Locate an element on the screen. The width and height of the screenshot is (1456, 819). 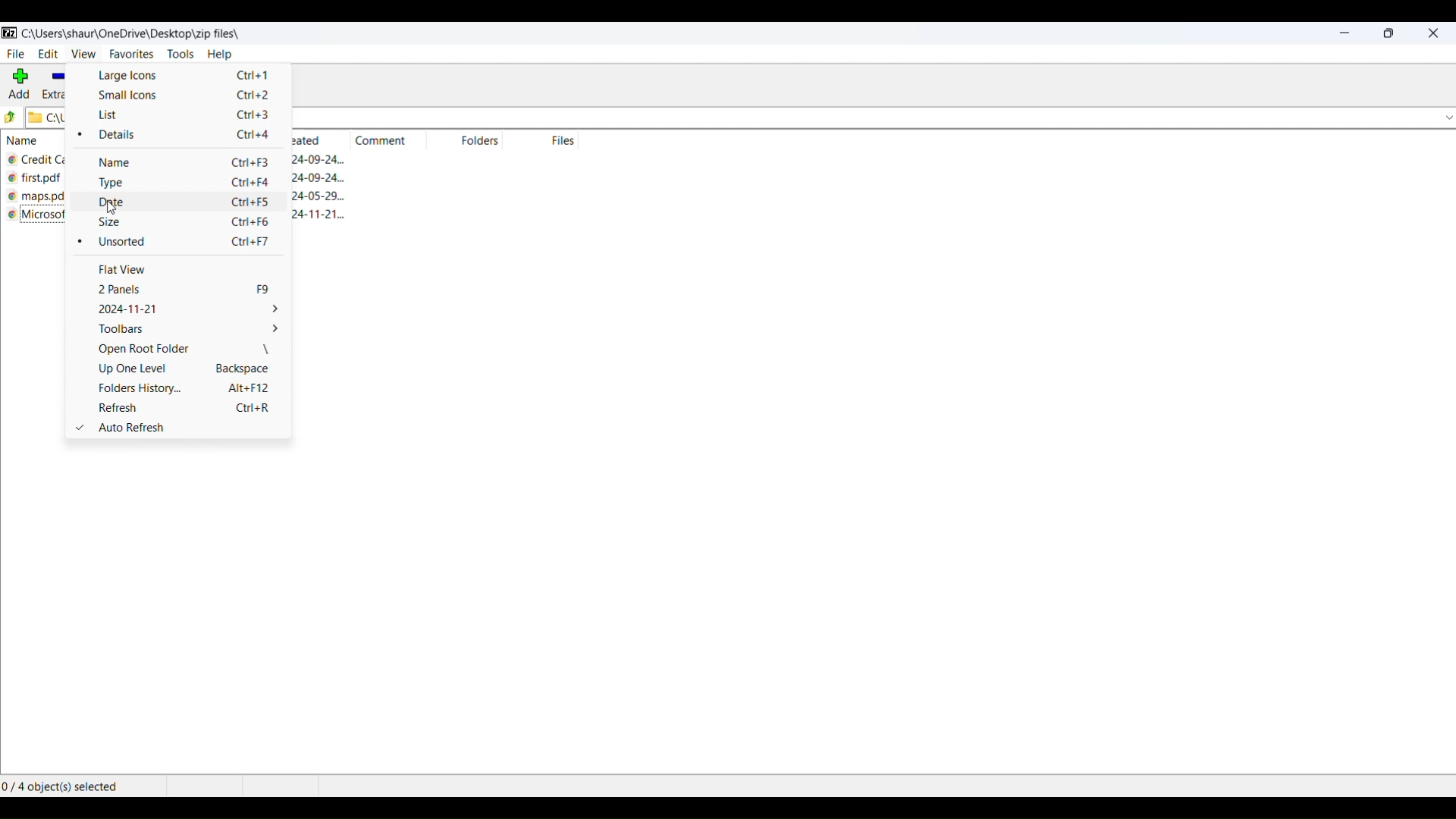
add is located at coordinates (17, 83).